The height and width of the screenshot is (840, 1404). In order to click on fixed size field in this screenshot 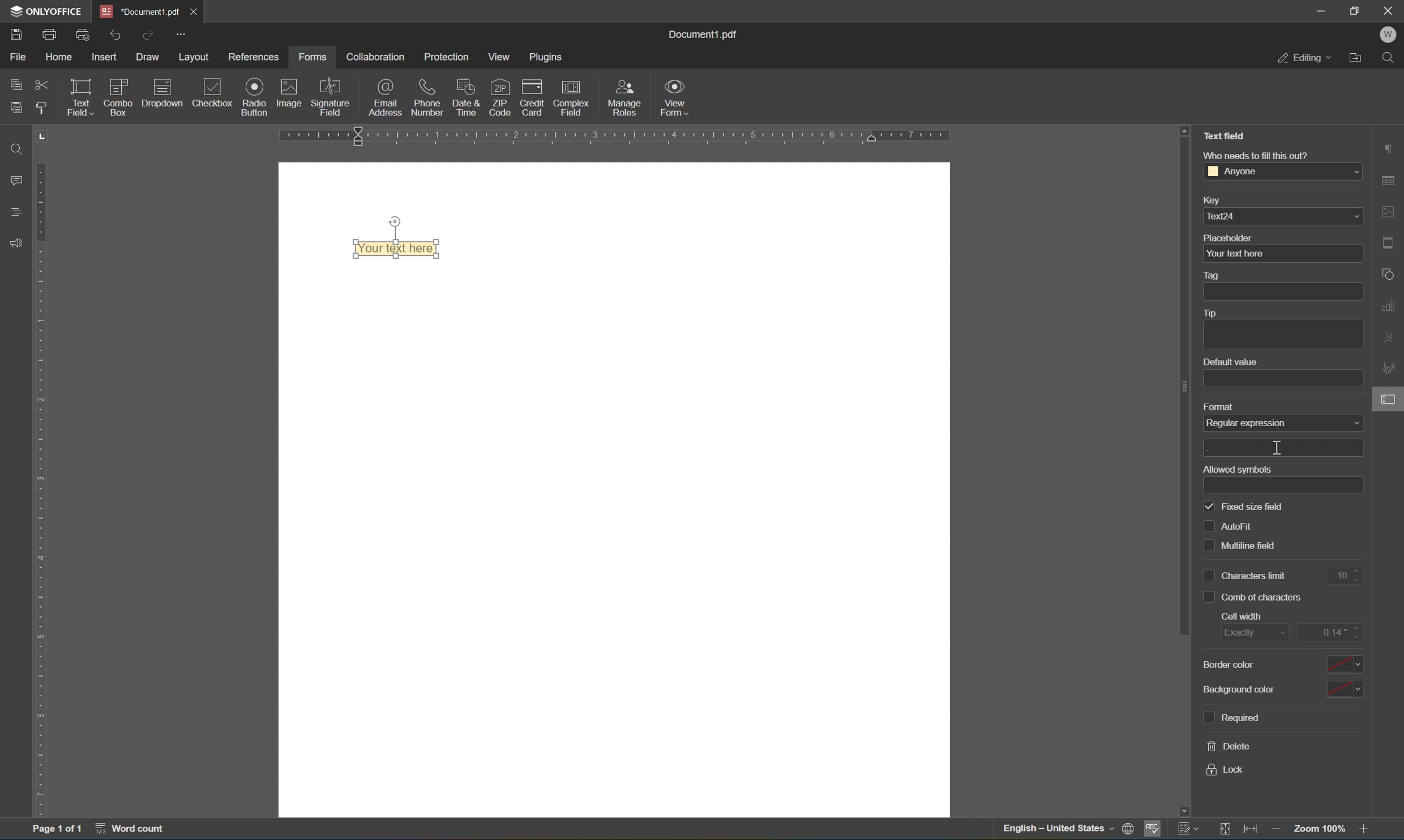, I will do `click(1244, 508)`.